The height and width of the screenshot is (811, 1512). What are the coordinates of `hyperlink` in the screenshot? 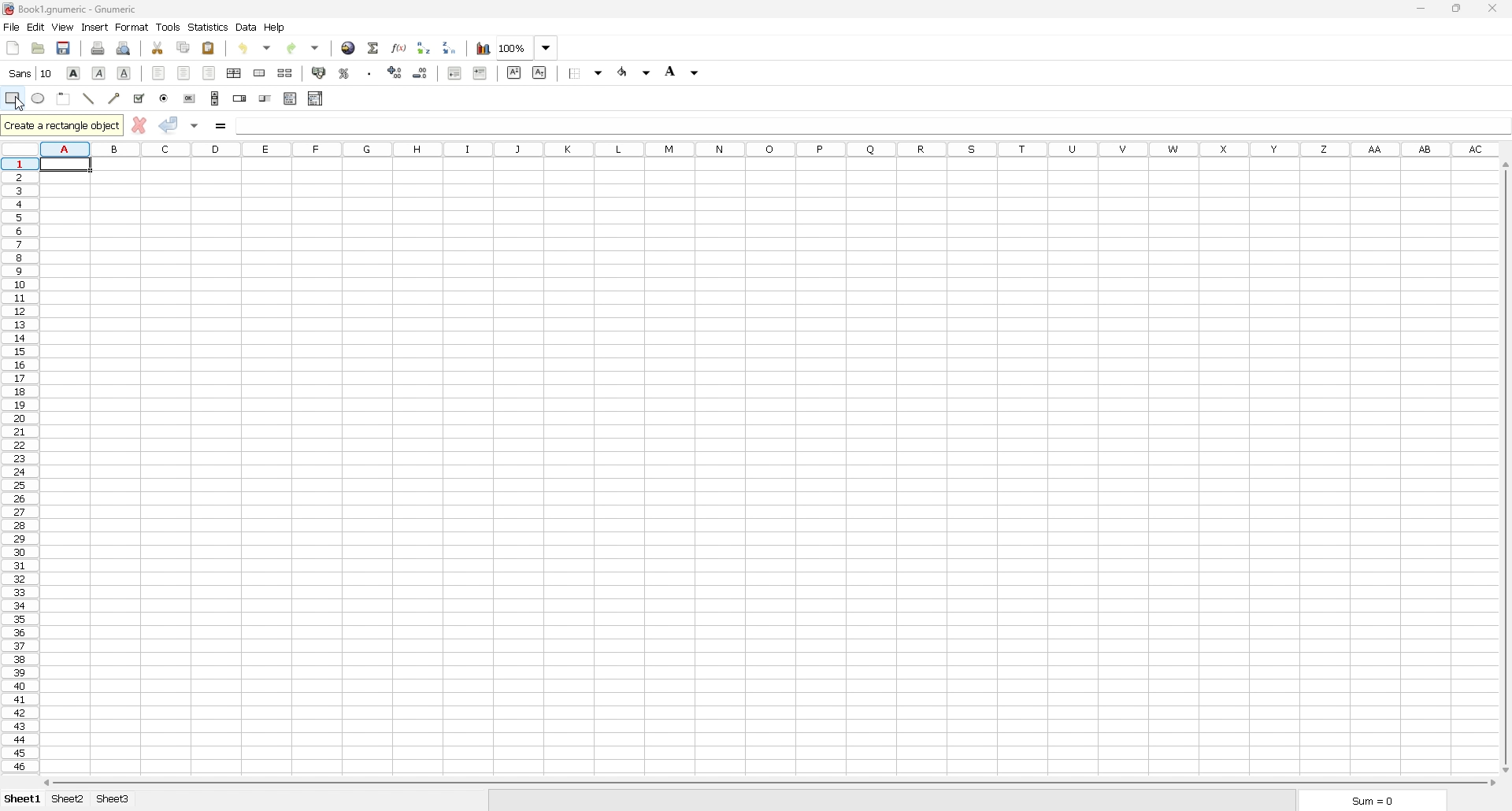 It's located at (347, 47).